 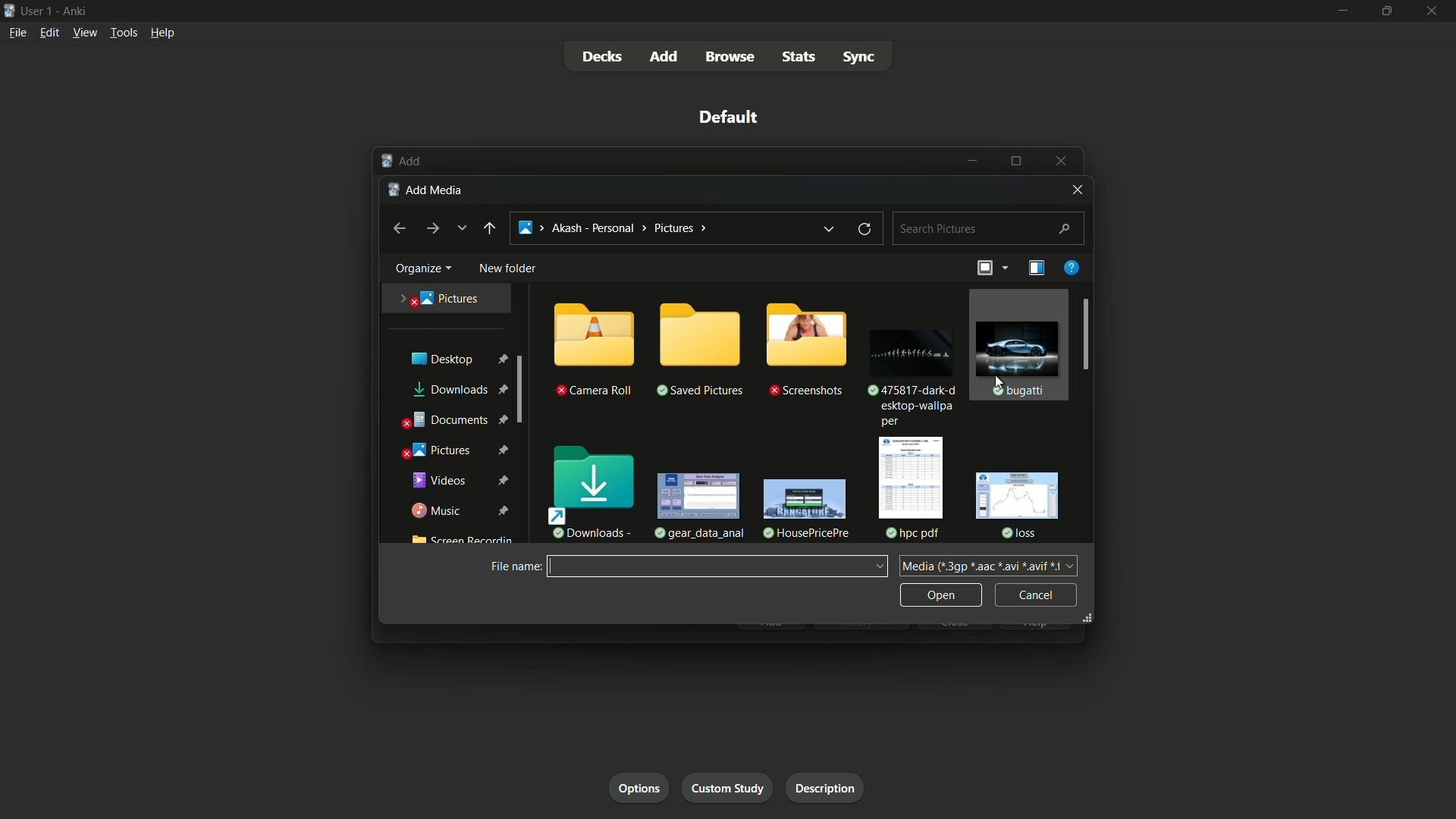 What do you see at coordinates (1036, 595) in the screenshot?
I see `cancel` at bounding box center [1036, 595].